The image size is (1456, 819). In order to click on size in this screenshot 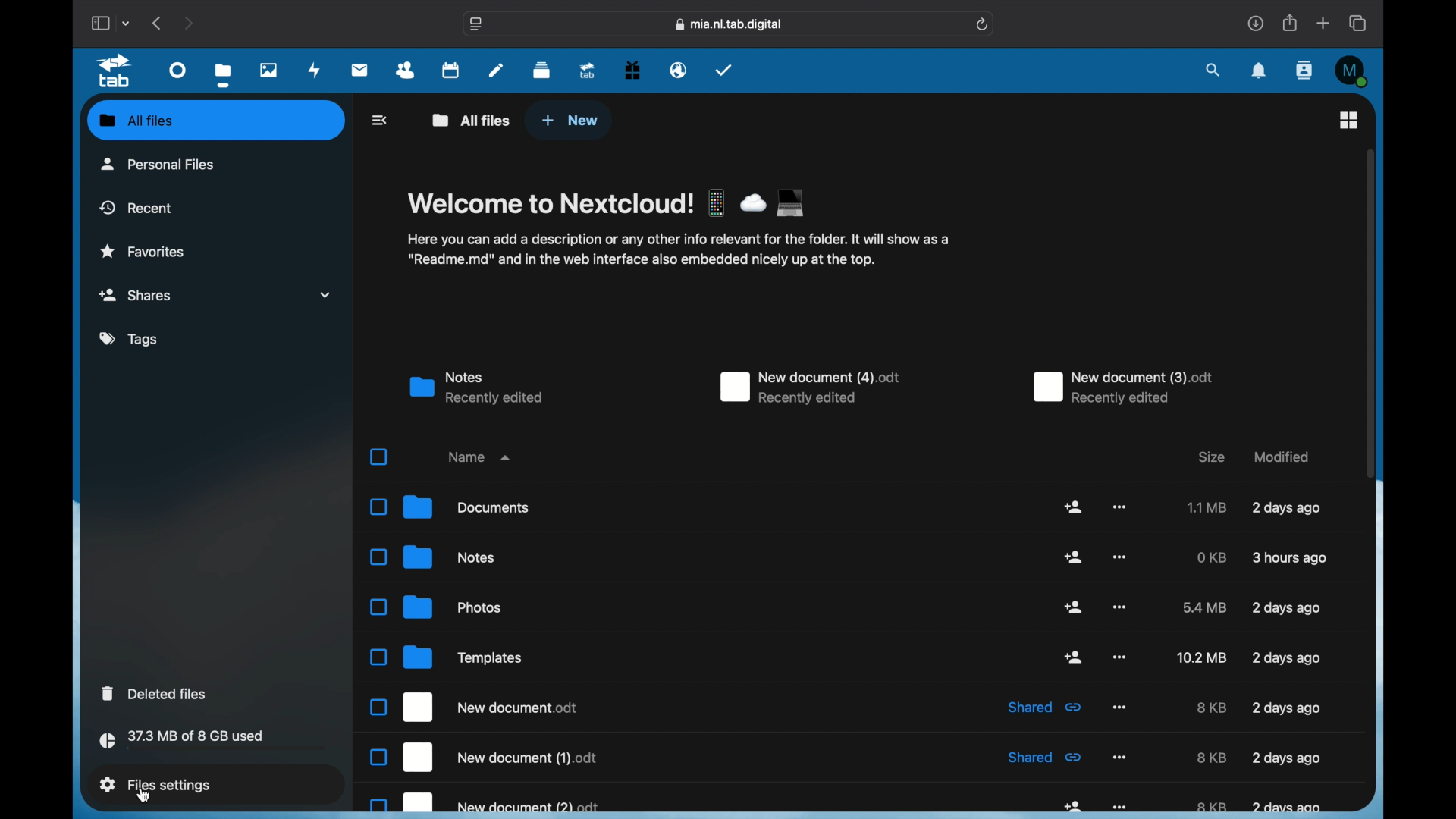, I will do `click(1210, 457)`.